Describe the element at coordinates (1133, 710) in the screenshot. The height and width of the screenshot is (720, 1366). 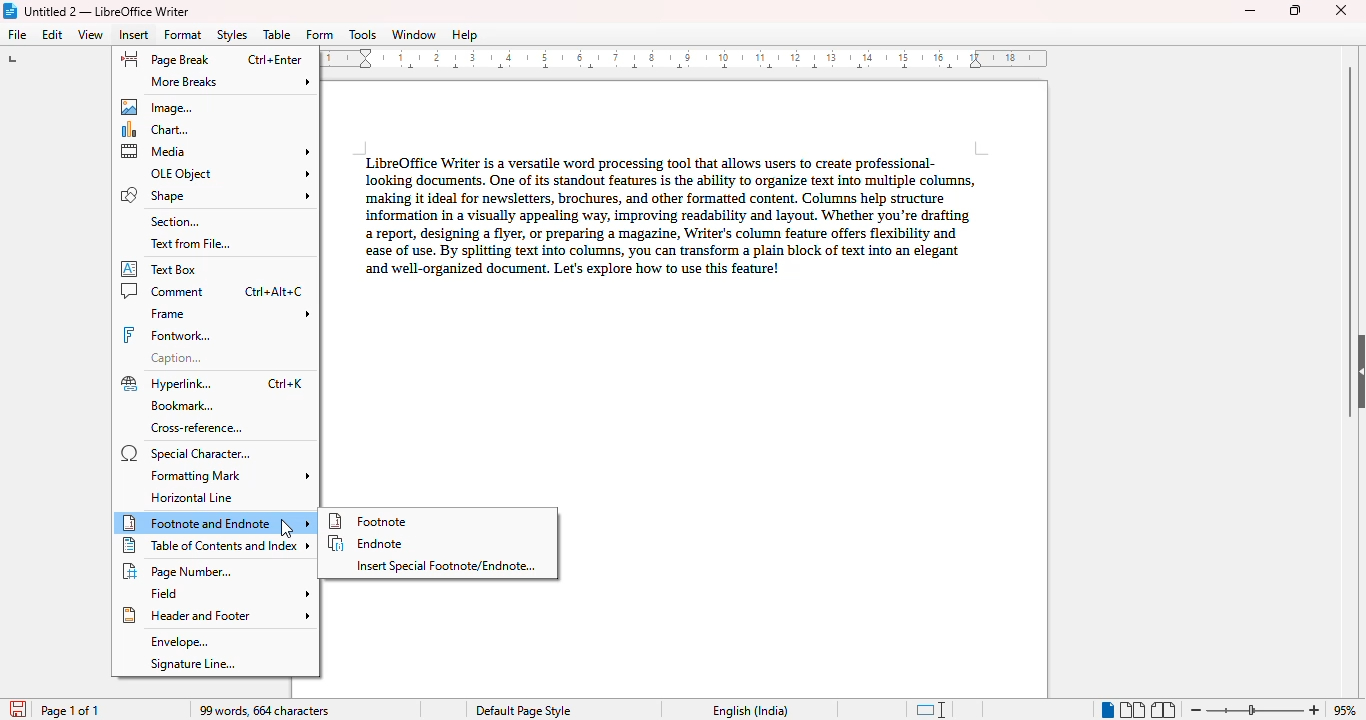
I see `multi-page view` at that location.